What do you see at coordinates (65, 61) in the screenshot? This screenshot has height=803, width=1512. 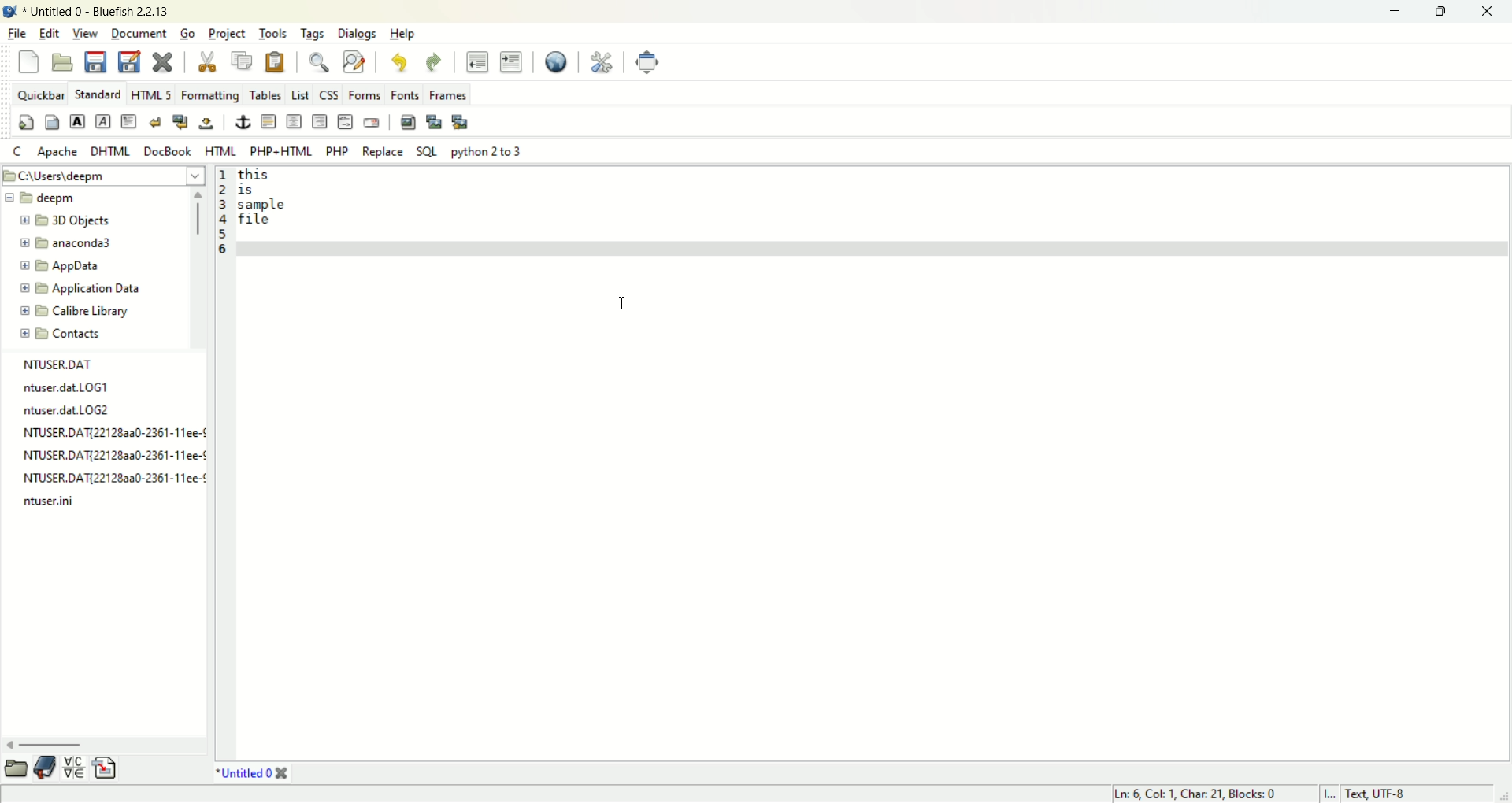 I see `open` at bounding box center [65, 61].